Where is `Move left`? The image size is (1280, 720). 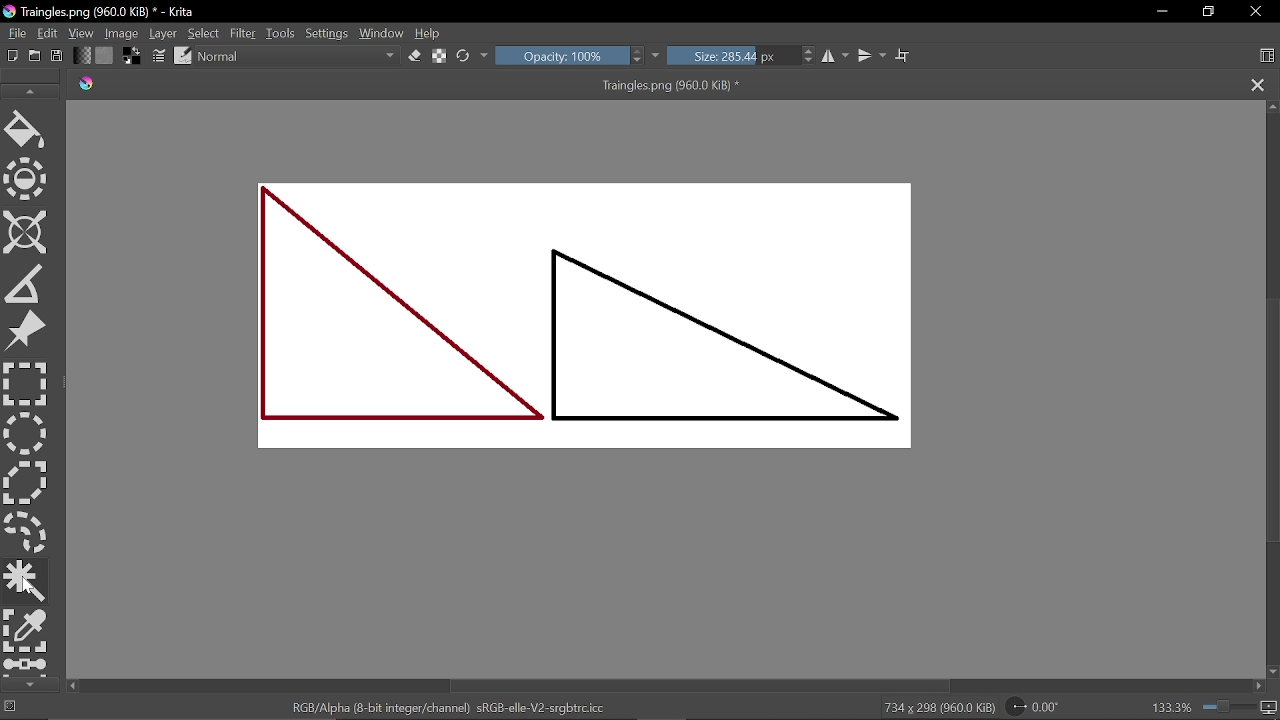 Move left is located at coordinates (72, 686).